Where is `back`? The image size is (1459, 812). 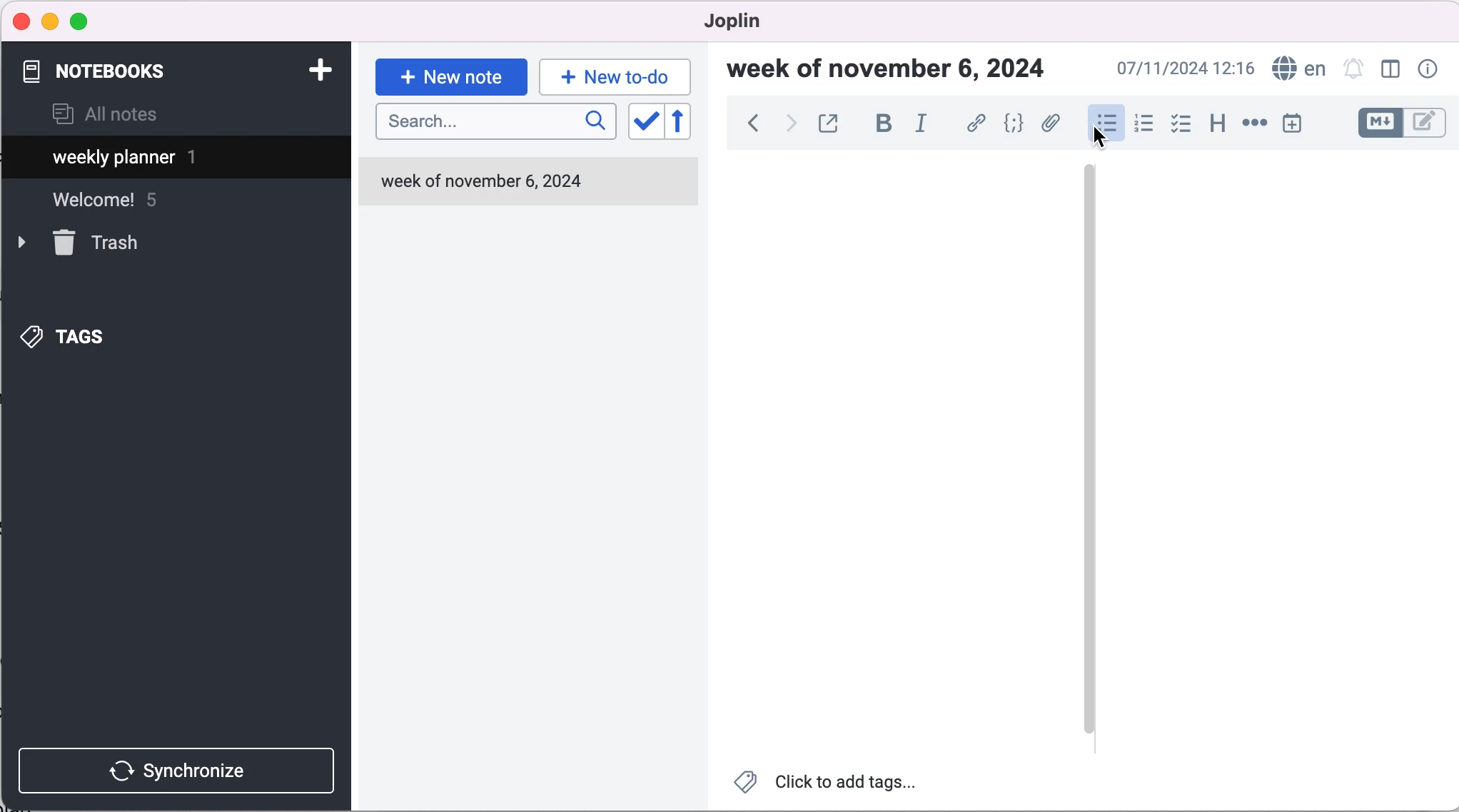
back is located at coordinates (752, 127).